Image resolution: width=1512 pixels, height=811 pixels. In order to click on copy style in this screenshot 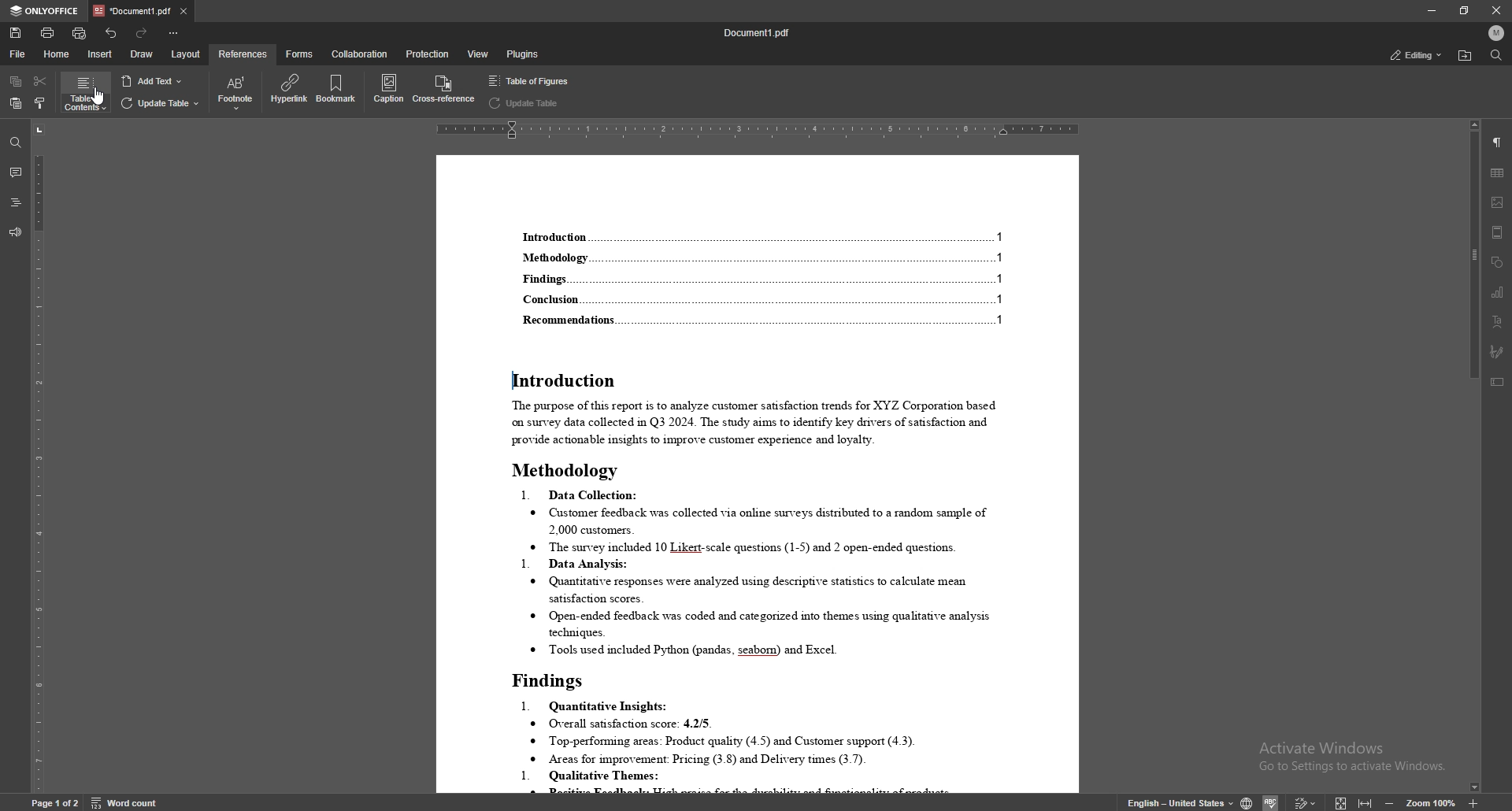, I will do `click(42, 105)`.